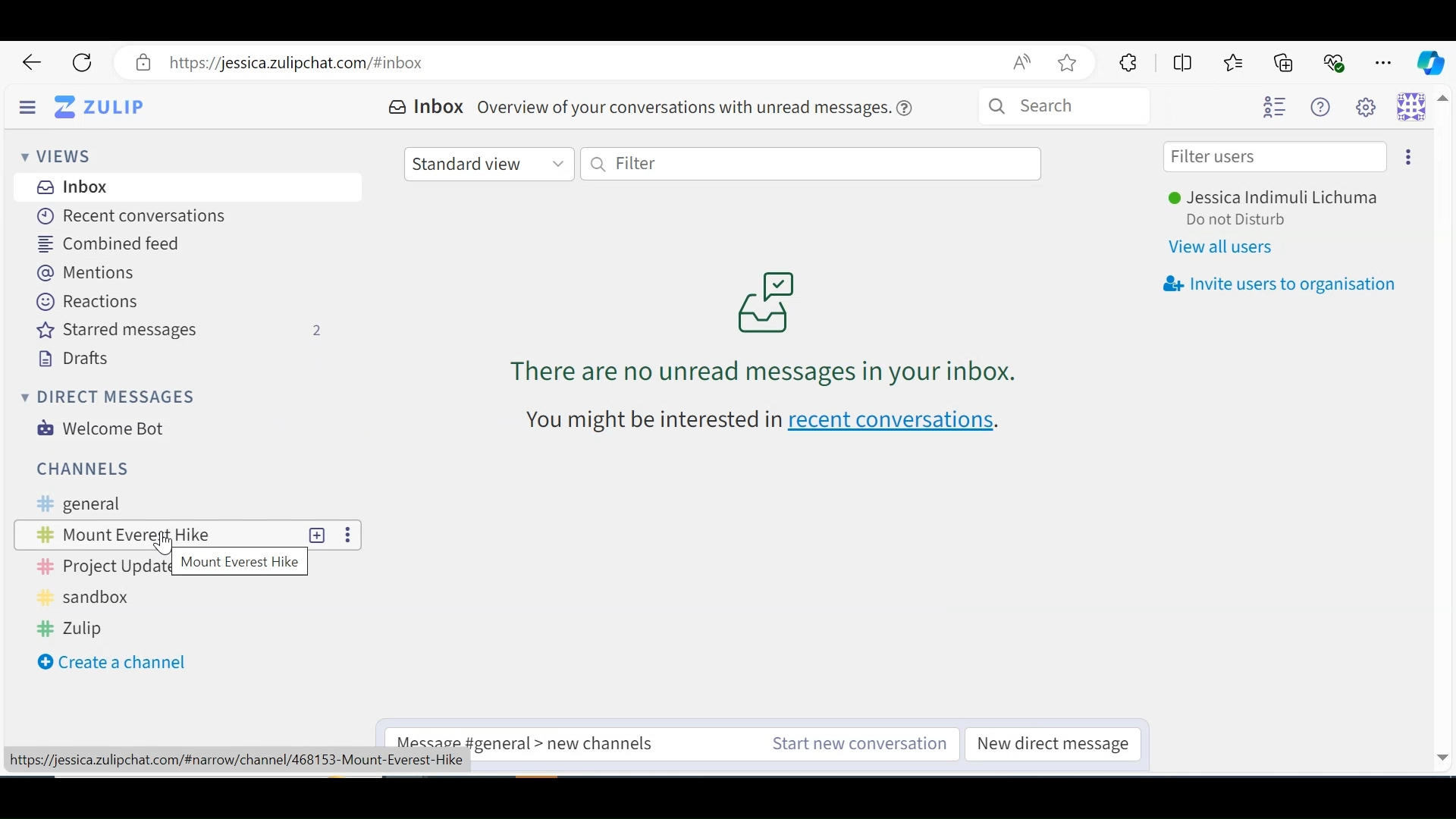  What do you see at coordinates (764, 326) in the screenshot?
I see `unread messages` at bounding box center [764, 326].